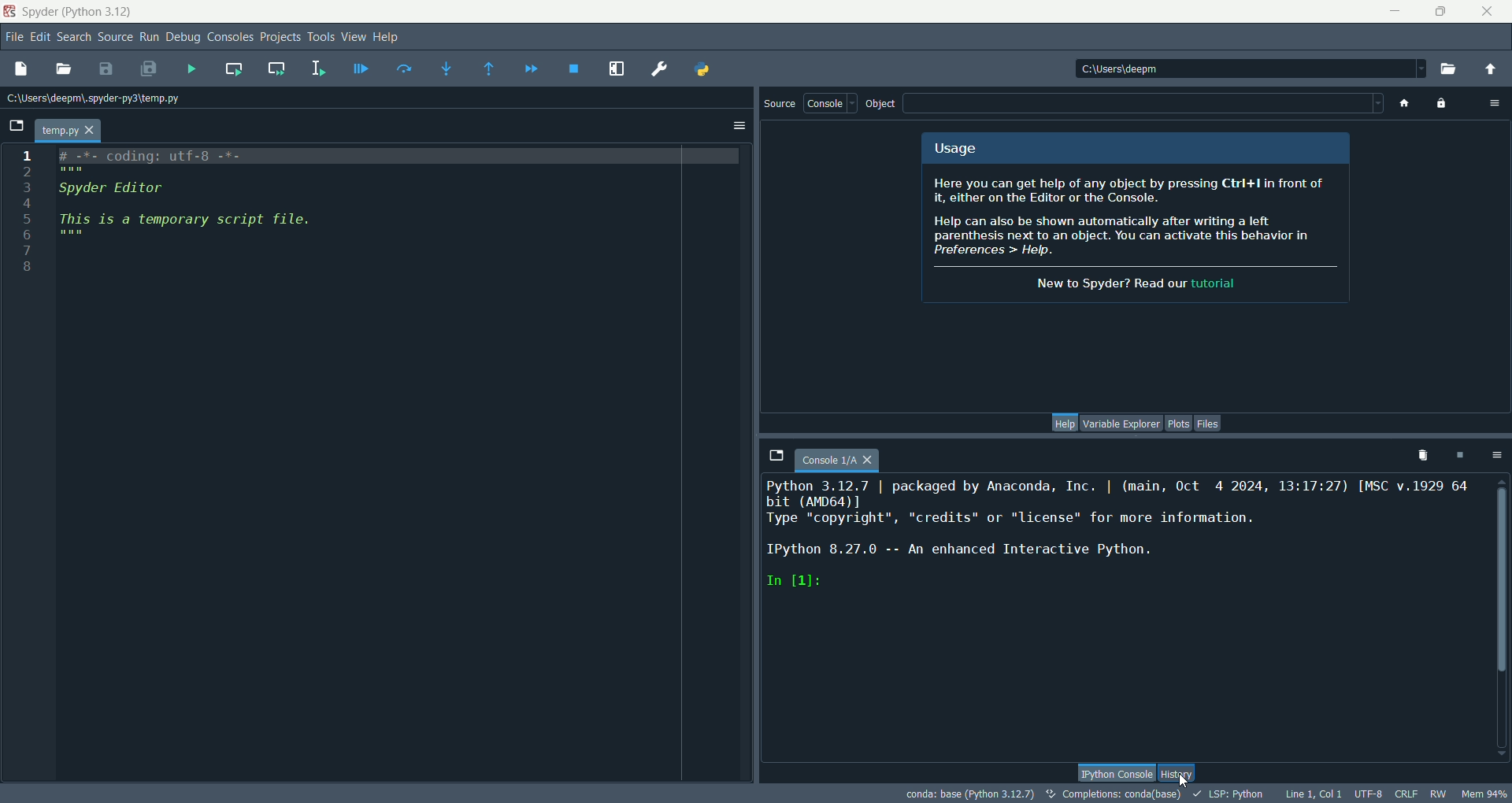  Describe the element at coordinates (1223, 794) in the screenshot. I see `LSP:PYTHON` at that location.